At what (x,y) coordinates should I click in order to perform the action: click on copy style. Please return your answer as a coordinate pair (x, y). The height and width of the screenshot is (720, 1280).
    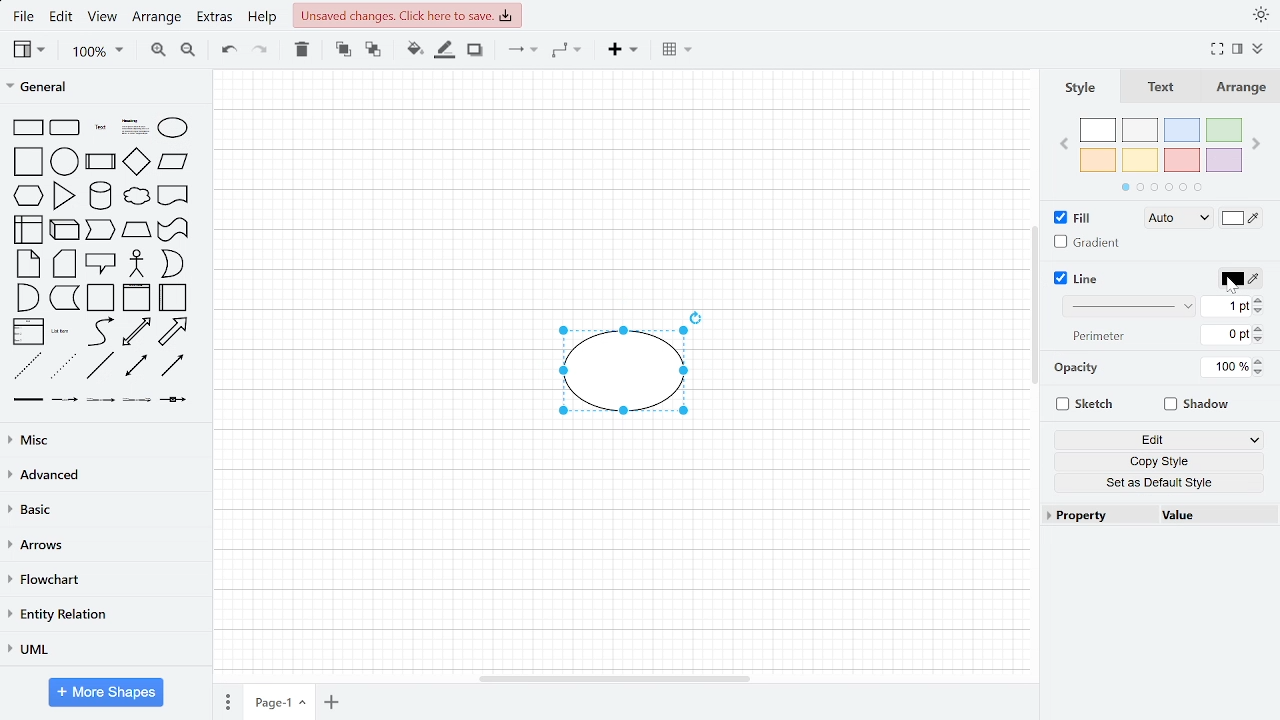
    Looking at the image, I should click on (1158, 461).